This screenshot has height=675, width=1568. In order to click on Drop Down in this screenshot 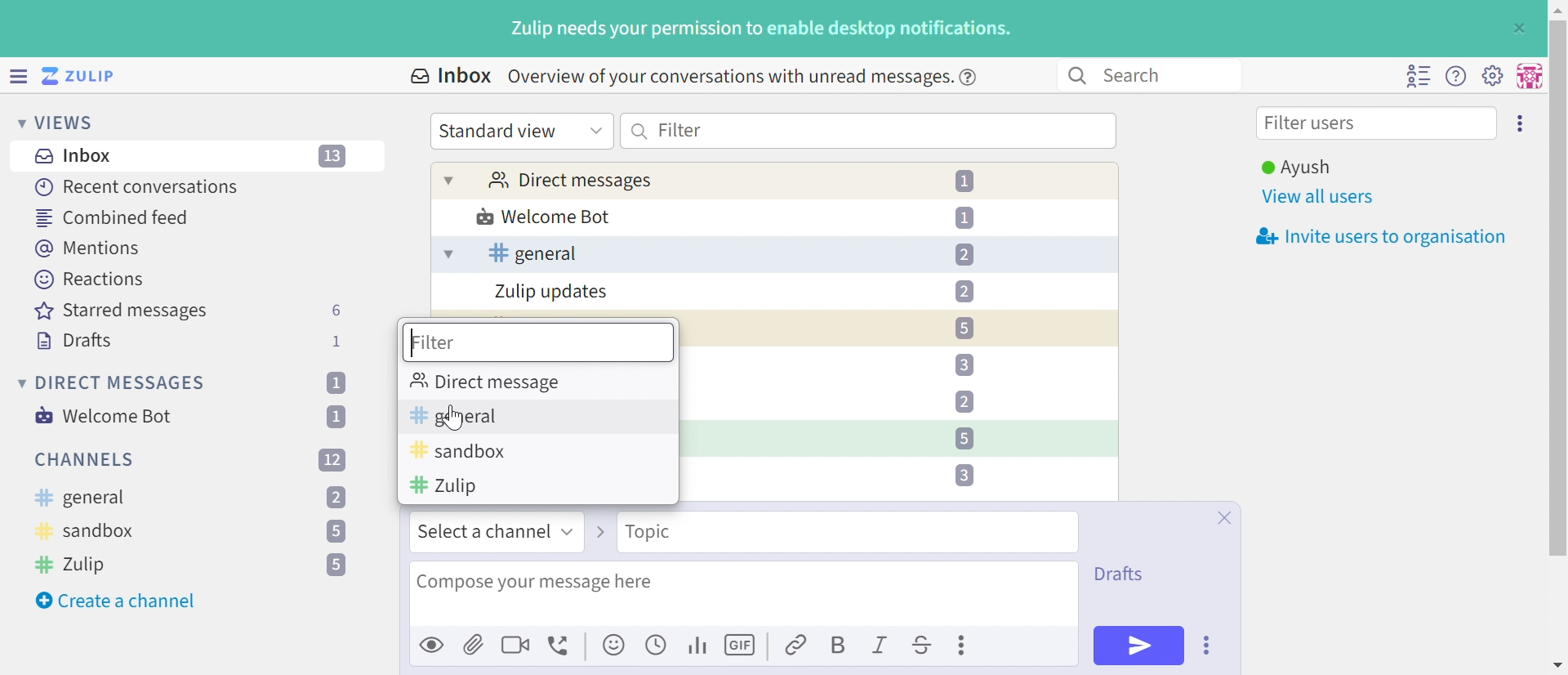, I will do `click(449, 180)`.